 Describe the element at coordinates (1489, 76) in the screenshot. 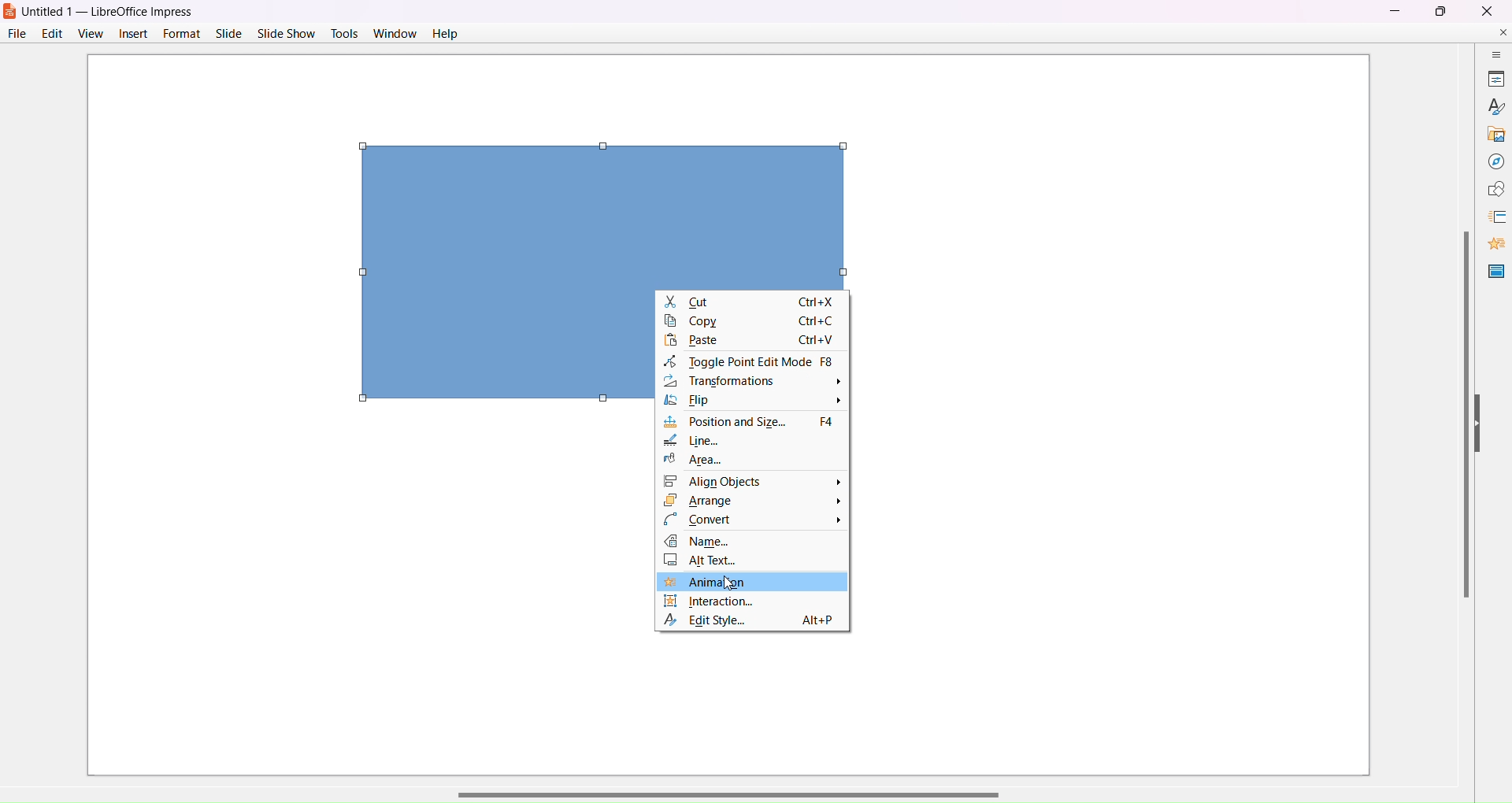

I see `Properties` at that location.